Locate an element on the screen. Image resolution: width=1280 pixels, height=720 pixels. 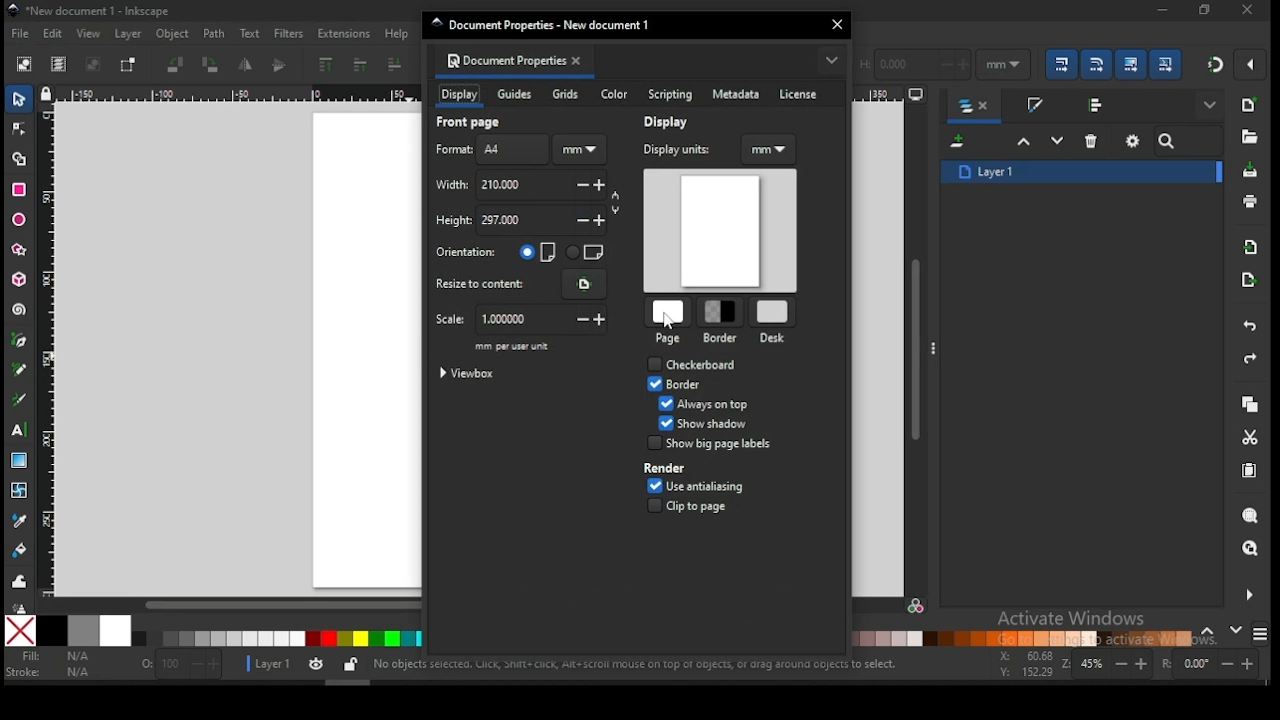
tweak tool is located at coordinates (20, 581).